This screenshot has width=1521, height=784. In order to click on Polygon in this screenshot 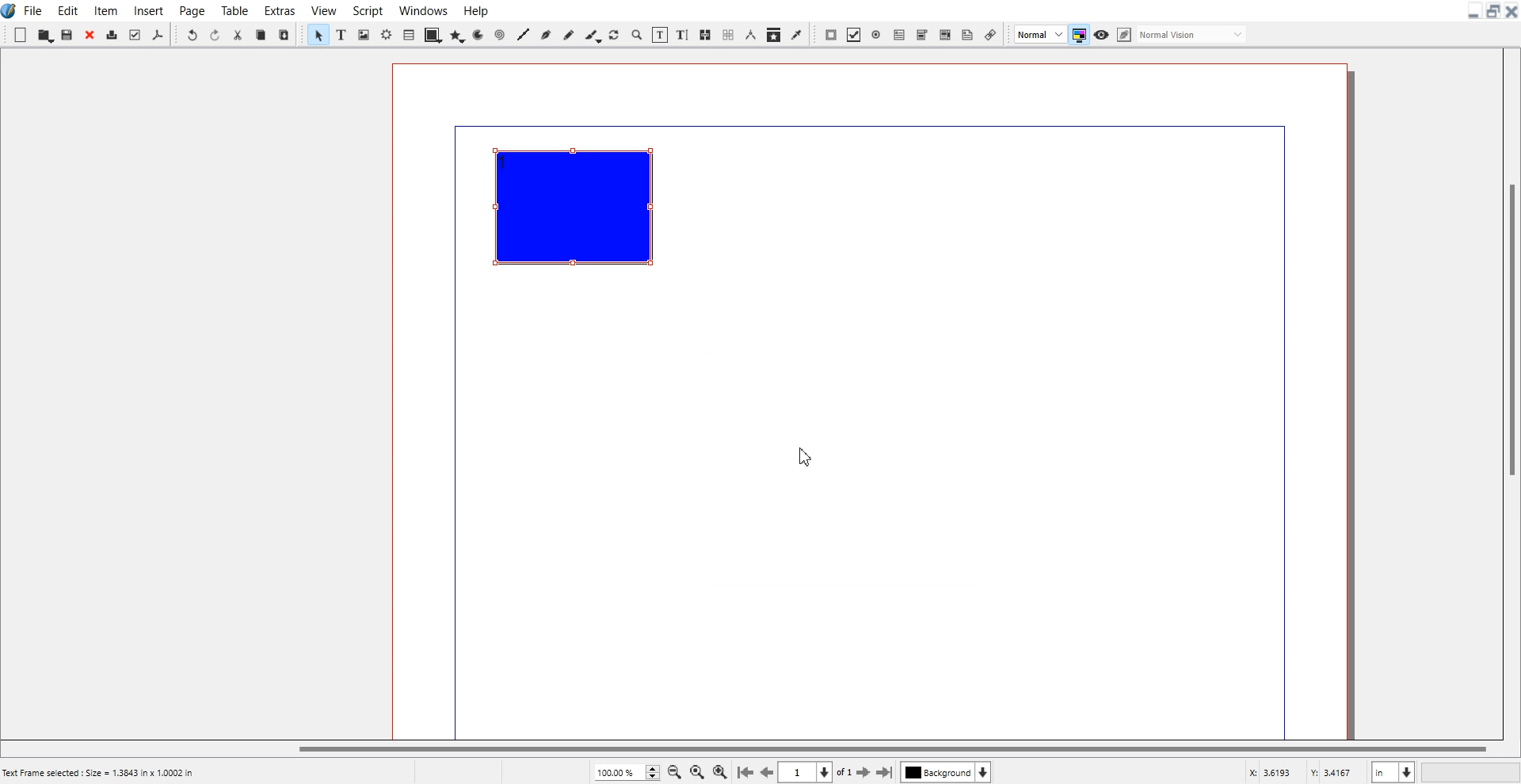, I will do `click(457, 33)`.